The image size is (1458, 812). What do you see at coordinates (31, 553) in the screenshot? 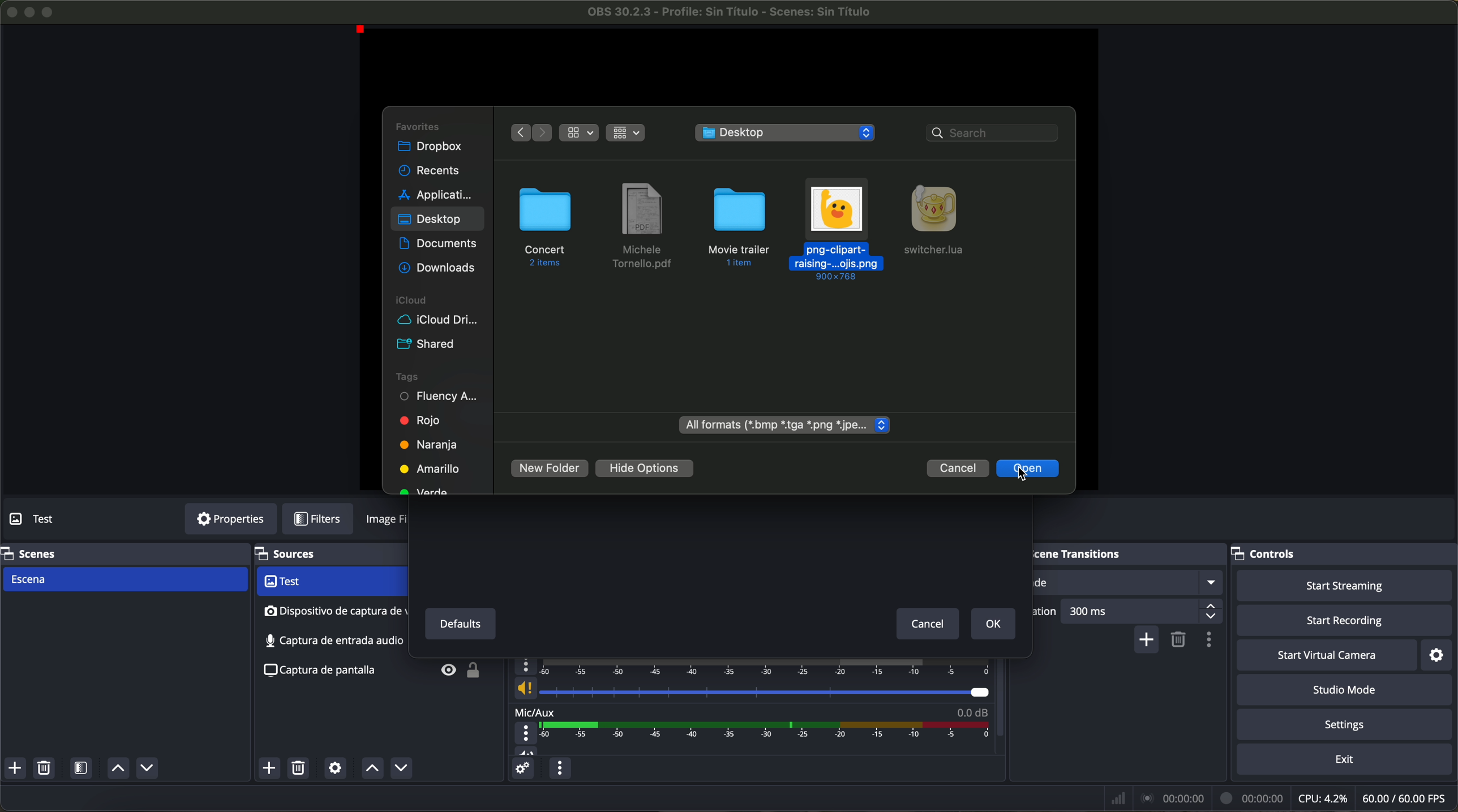
I see `scenes` at bounding box center [31, 553].